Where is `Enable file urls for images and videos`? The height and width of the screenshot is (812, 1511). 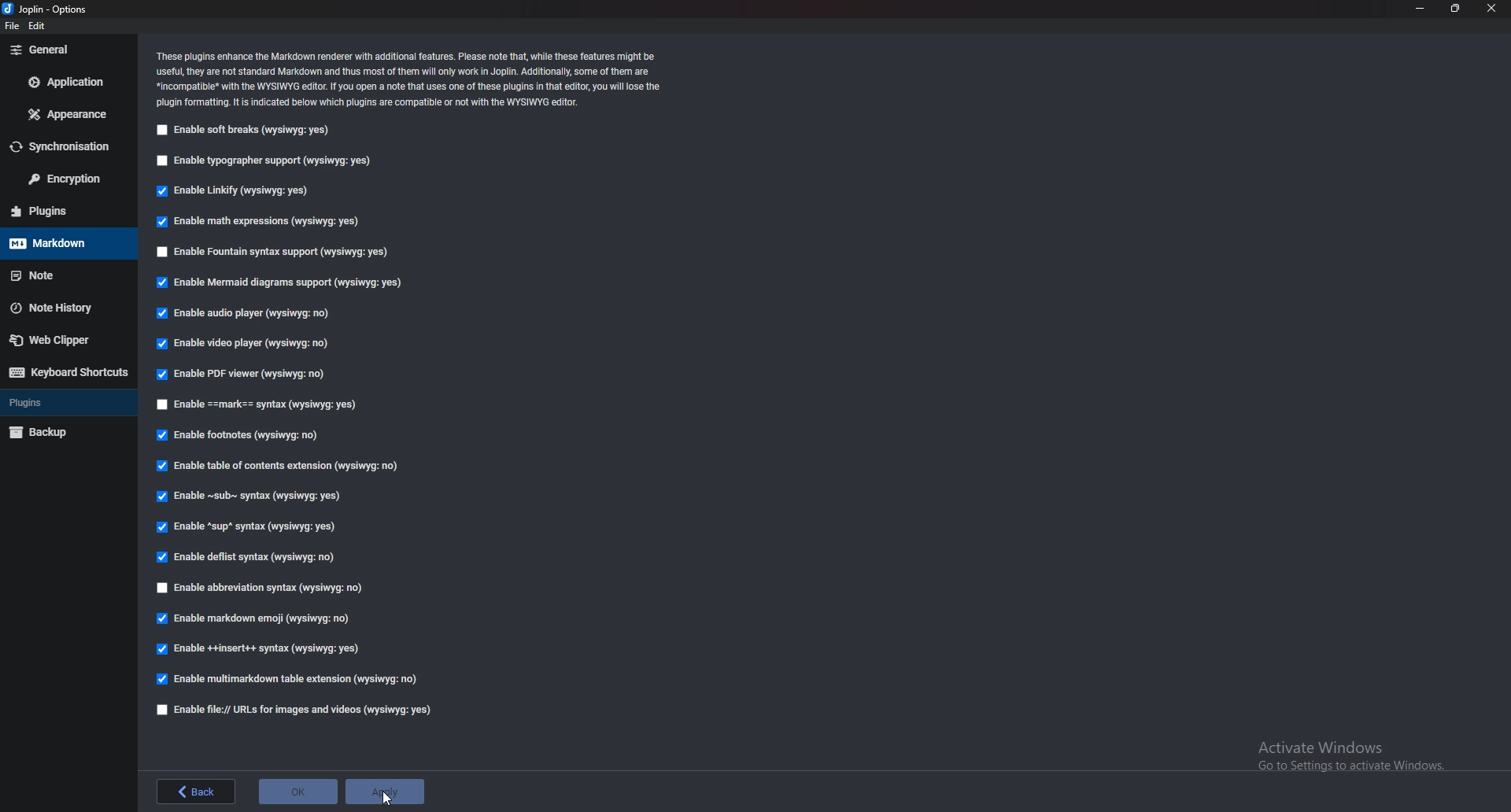
Enable file urls for images and videos is located at coordinates (296, 710).